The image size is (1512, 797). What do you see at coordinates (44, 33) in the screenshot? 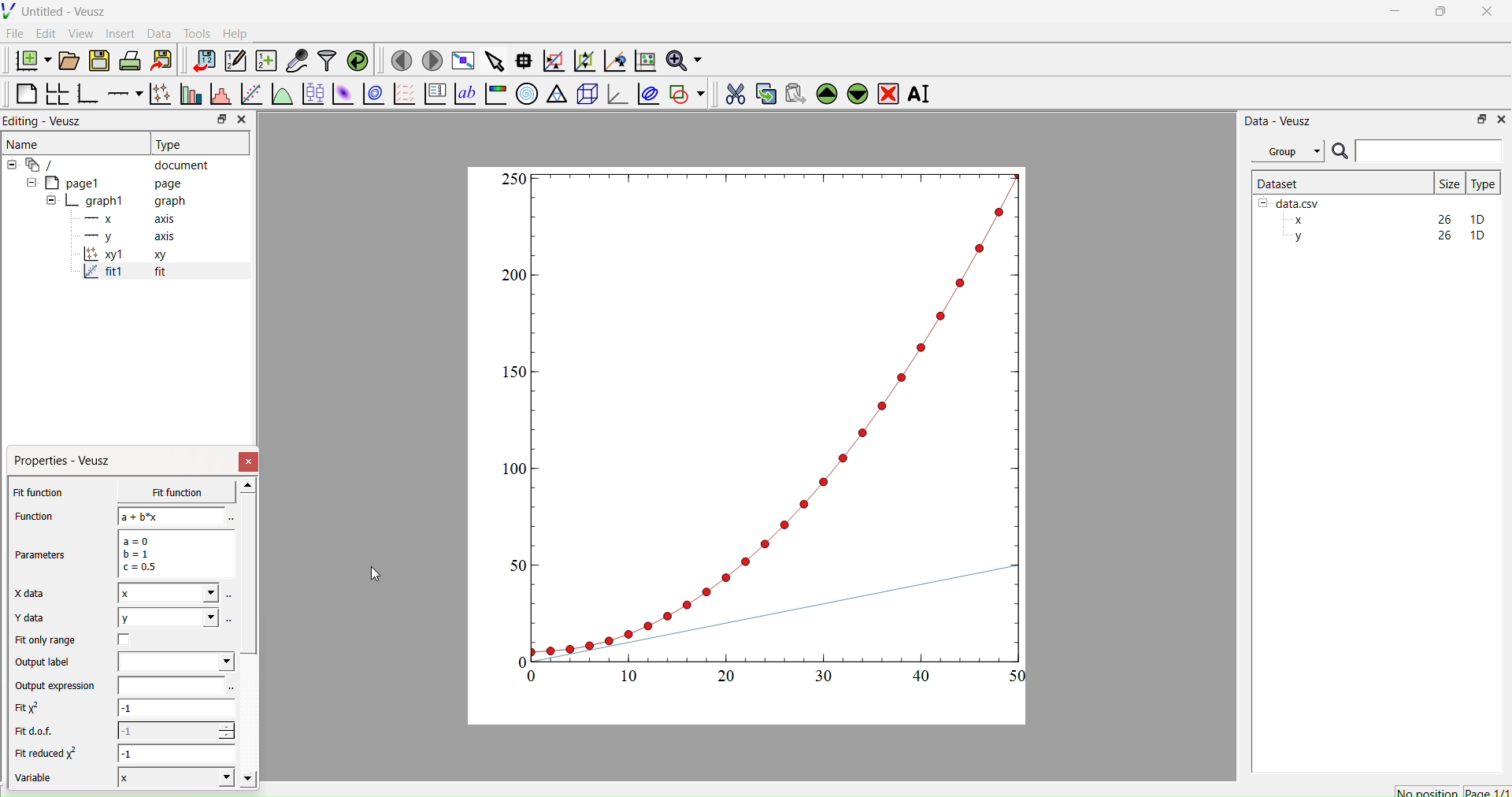
I see `Edit` at bounding box center [44, 33].